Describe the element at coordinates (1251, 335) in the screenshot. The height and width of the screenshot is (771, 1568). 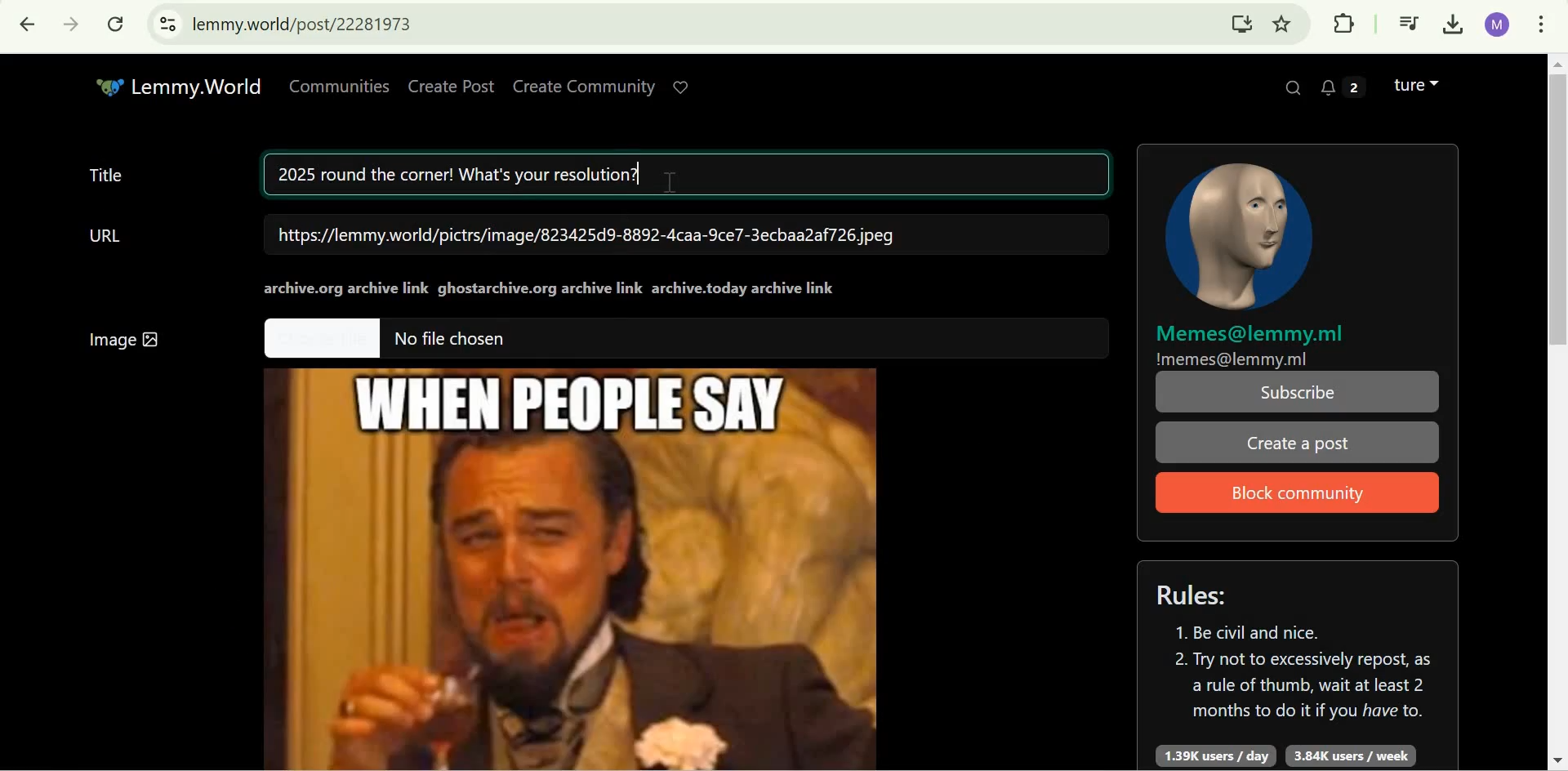
I see `Memes@lemmy.ml` at that location.